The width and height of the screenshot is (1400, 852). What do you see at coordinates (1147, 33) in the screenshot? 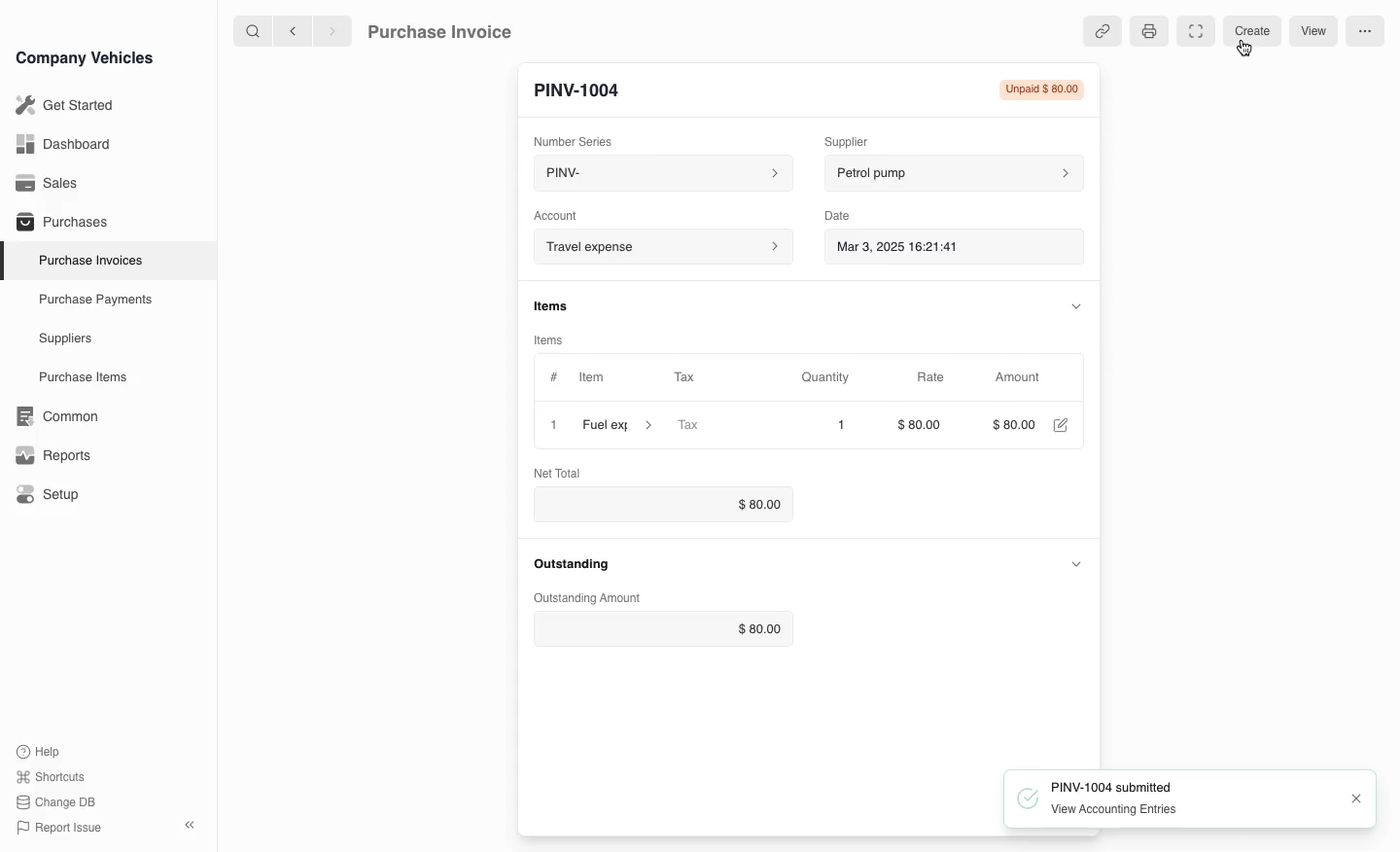
I see `print` at bounding box center [1147, 33].